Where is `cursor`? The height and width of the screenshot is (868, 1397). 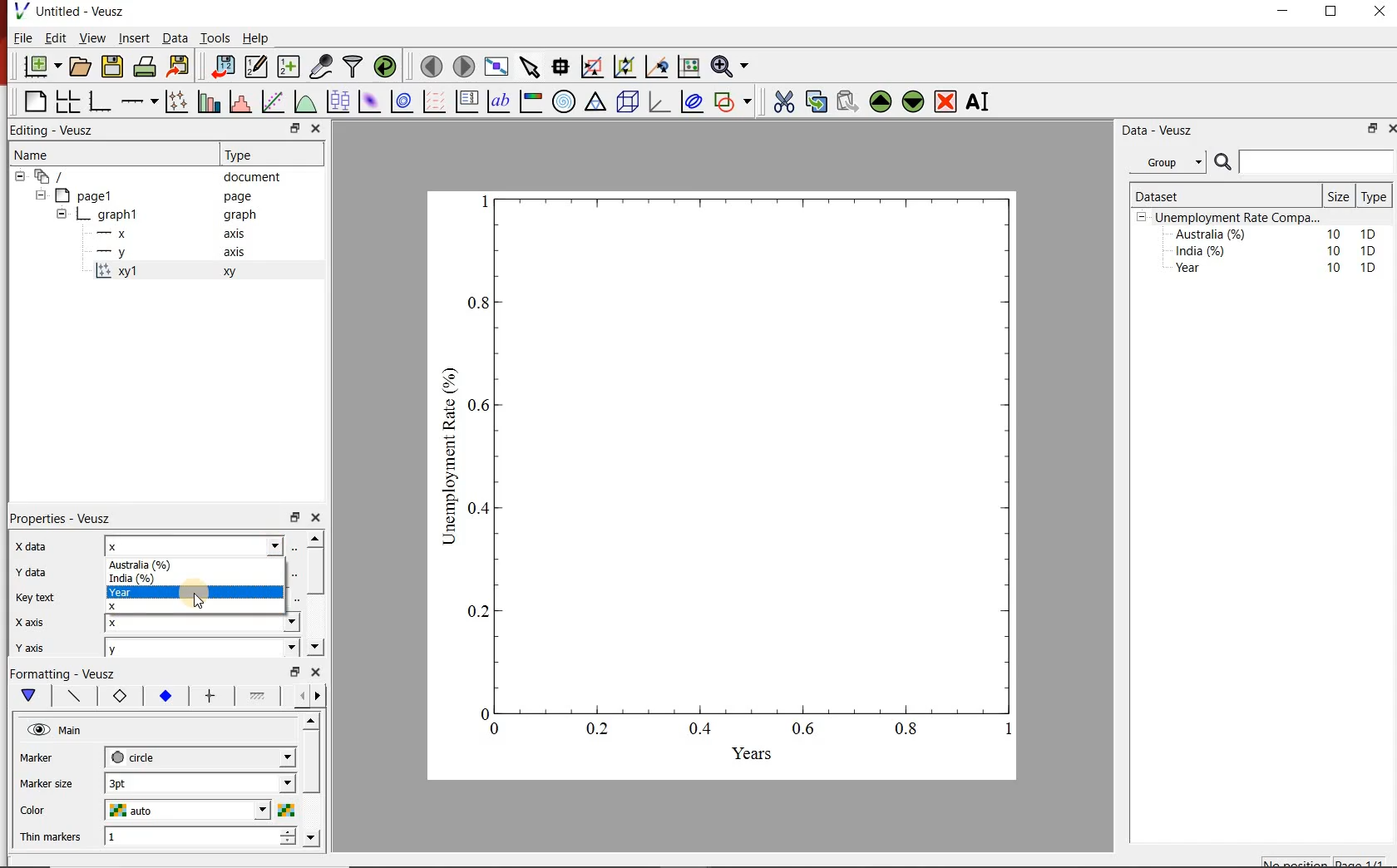
cursor is located at coordinates (202, 600).